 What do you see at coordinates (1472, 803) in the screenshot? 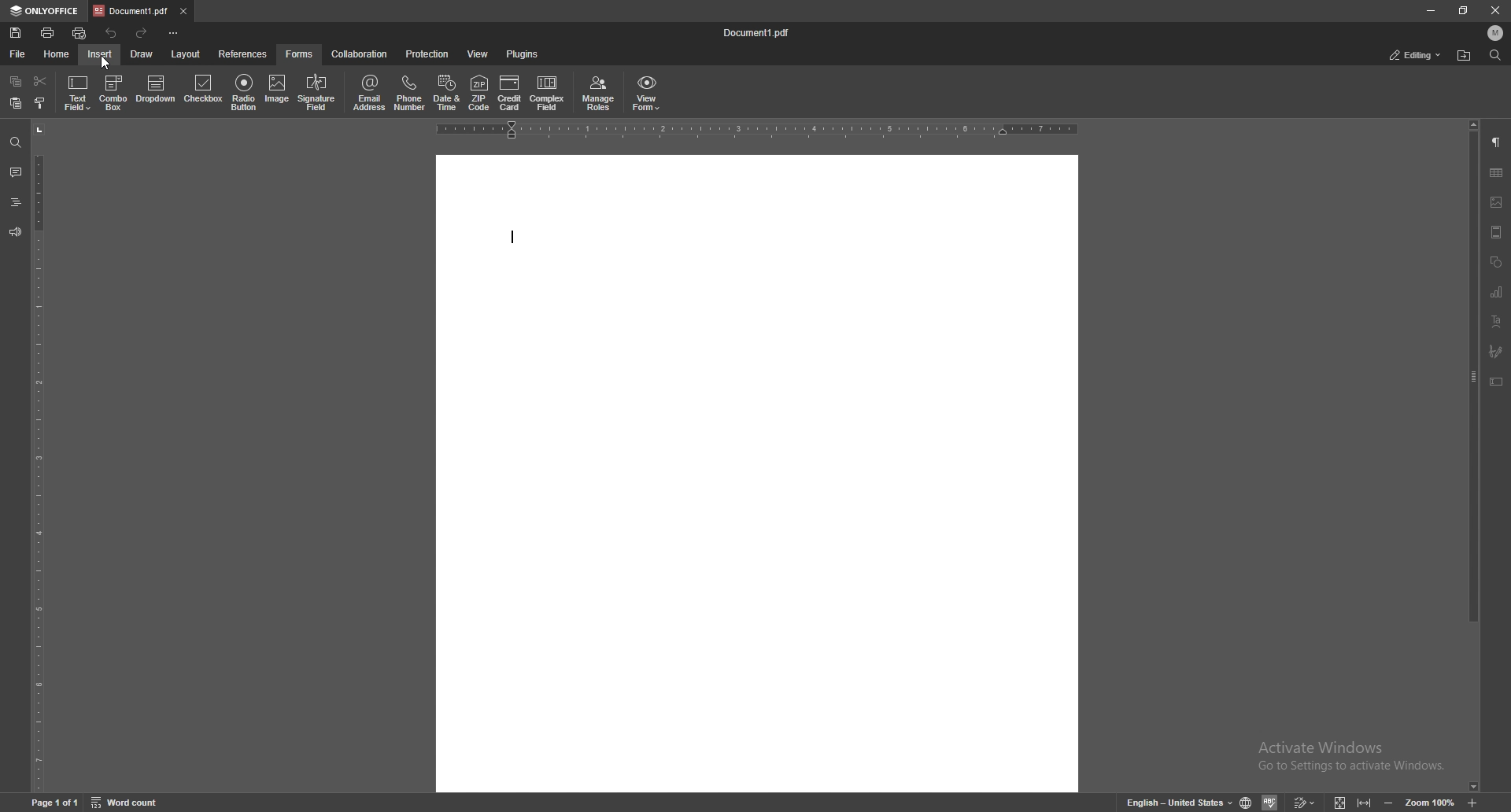
I see `zoom in` at bounding box center [1472, 803].